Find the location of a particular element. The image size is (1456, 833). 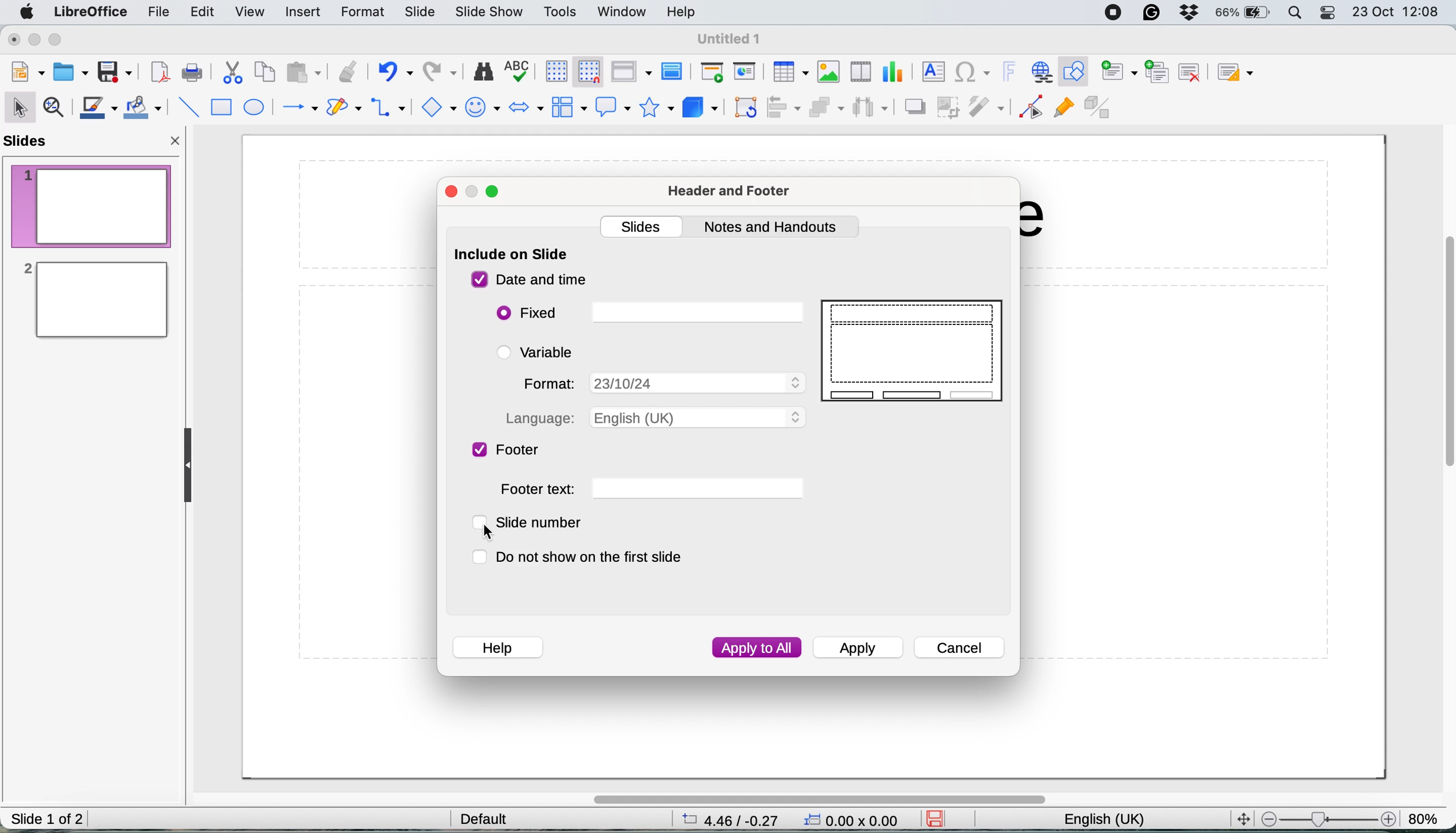

control center is located at coordinates (1329, 14).